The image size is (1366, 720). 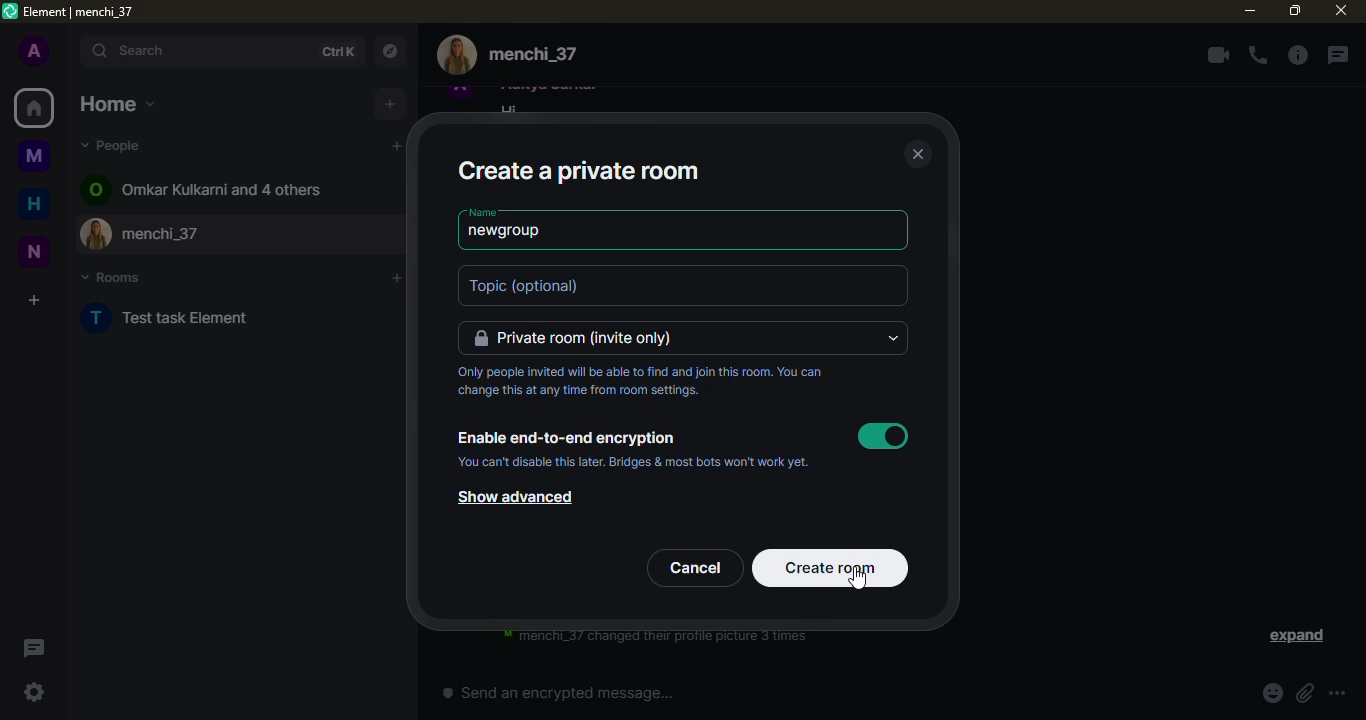 I want to click on search, so click(x=196, y=51).